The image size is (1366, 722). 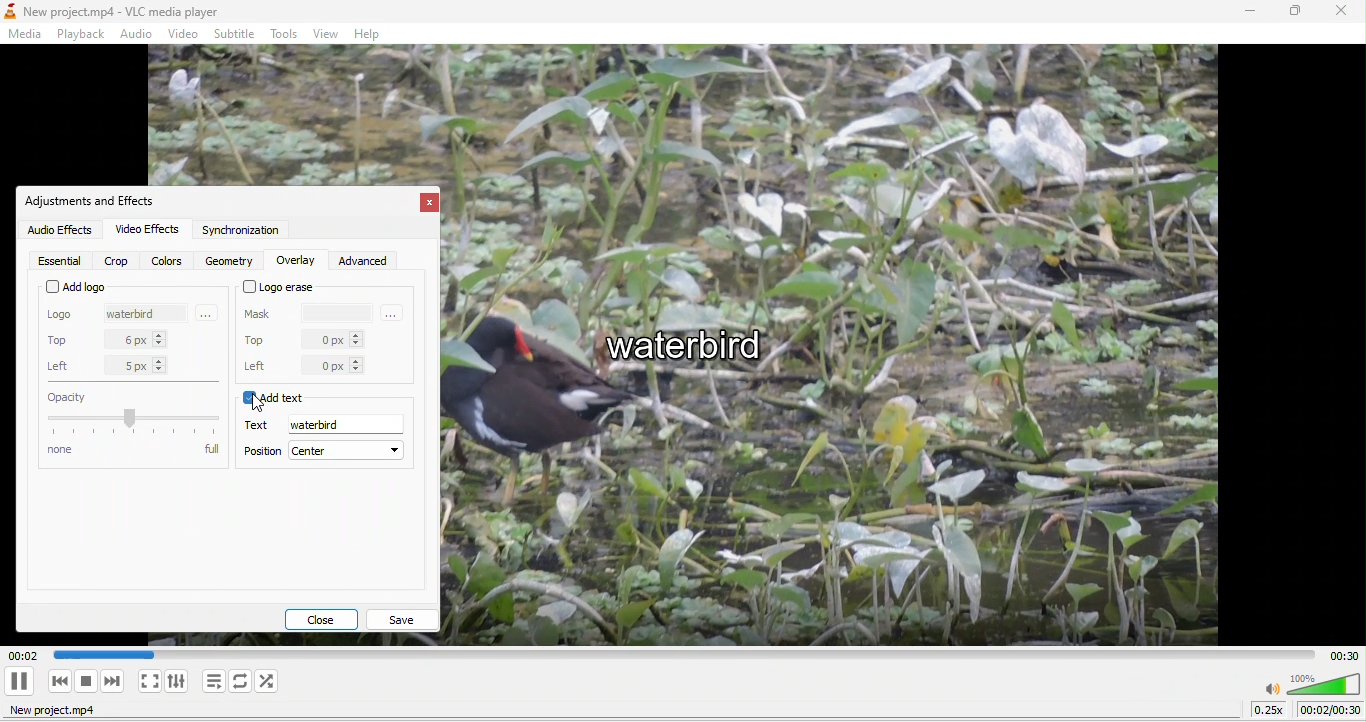 I want to click on total time, so click(x=1339, y=654).